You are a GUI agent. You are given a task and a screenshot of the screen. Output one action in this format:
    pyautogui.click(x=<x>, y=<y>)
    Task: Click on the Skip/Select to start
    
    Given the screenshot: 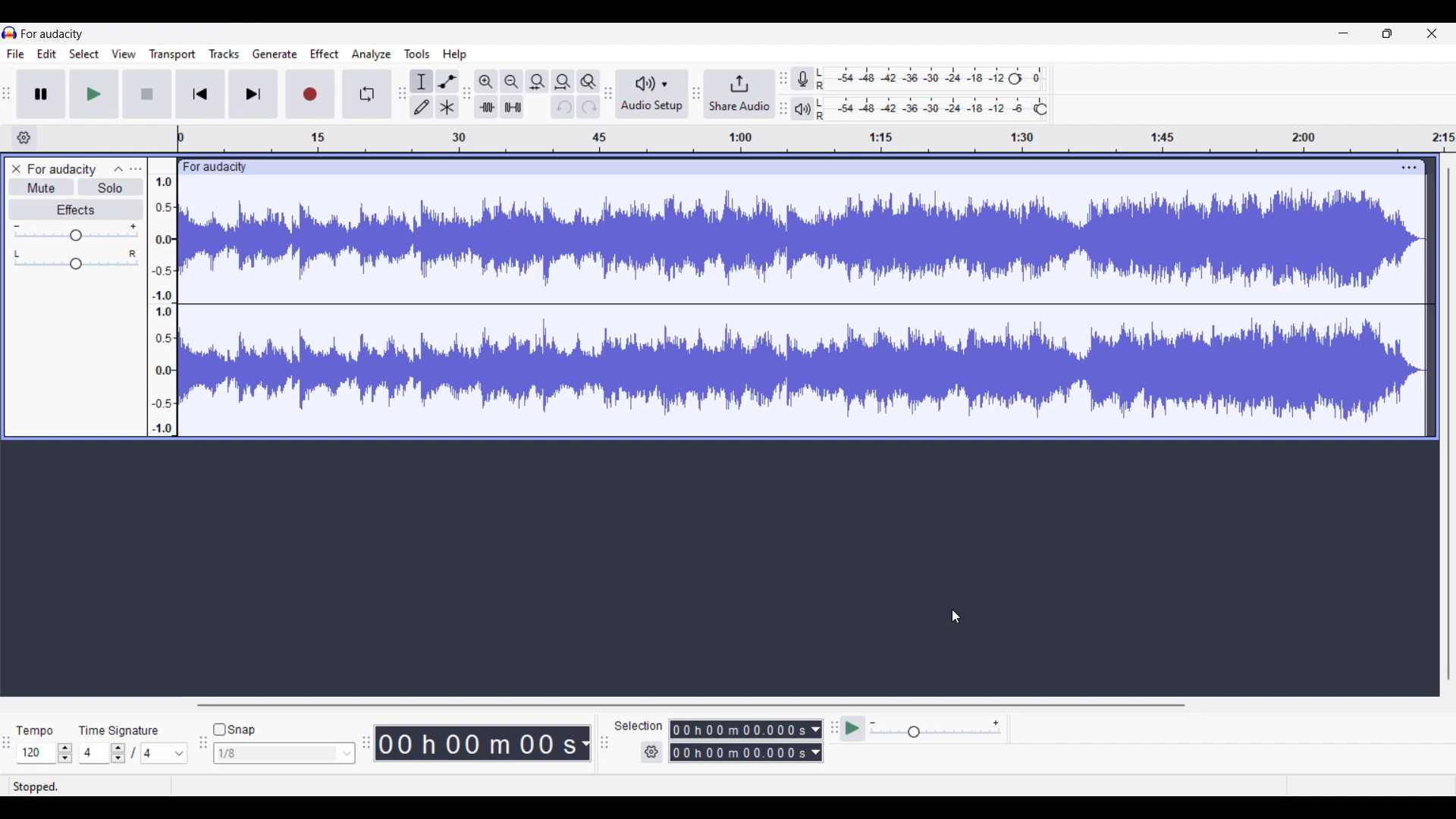 What is the action you would take?
    pyautogui.click(x=200, y=94)
    